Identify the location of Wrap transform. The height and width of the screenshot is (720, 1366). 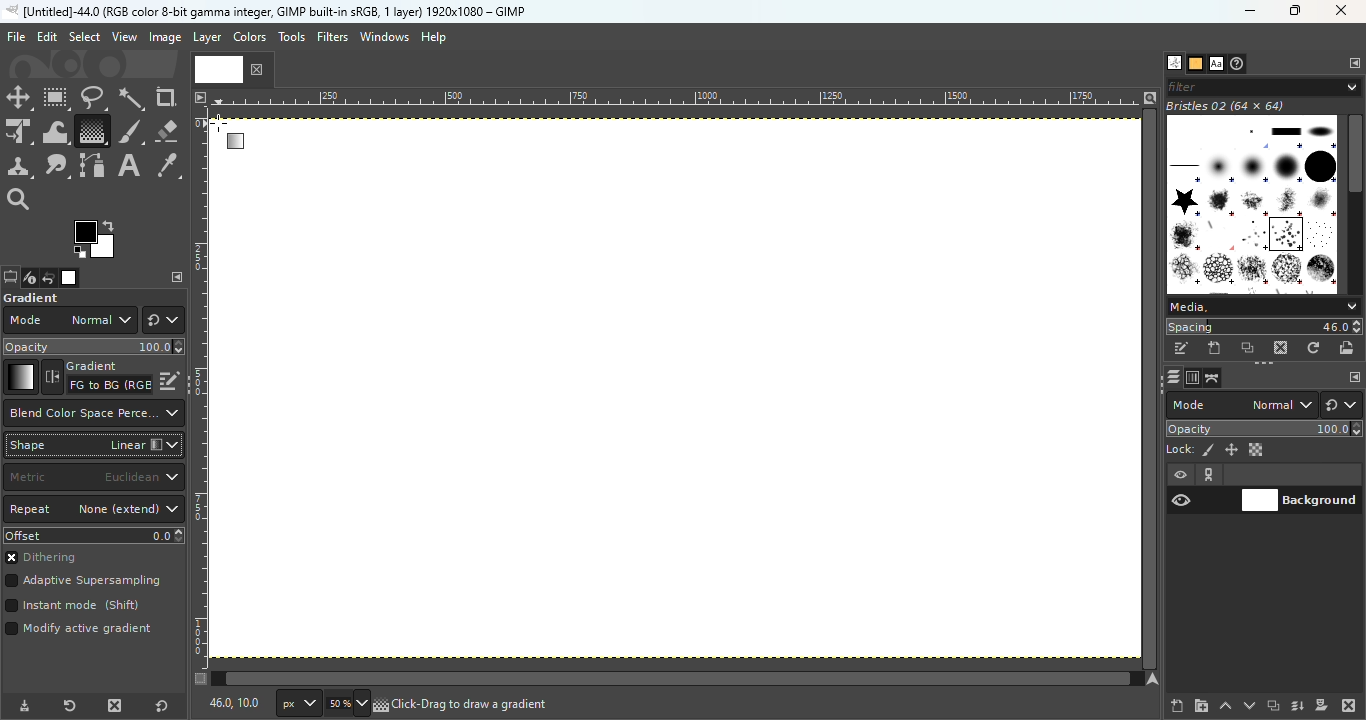
(53, 131).